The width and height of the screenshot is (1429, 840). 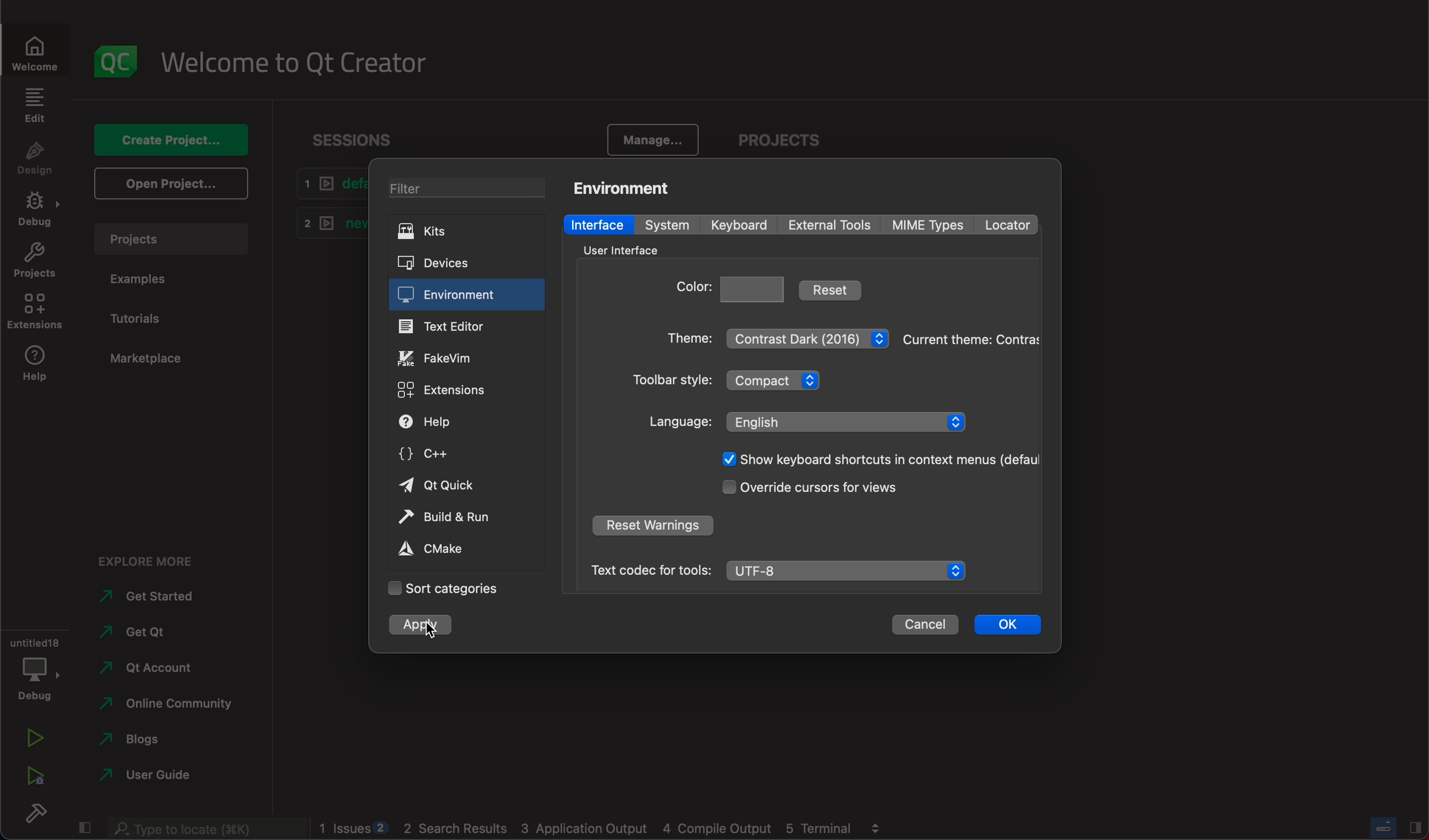 I want to click on guide, so click(x=156, y=777).